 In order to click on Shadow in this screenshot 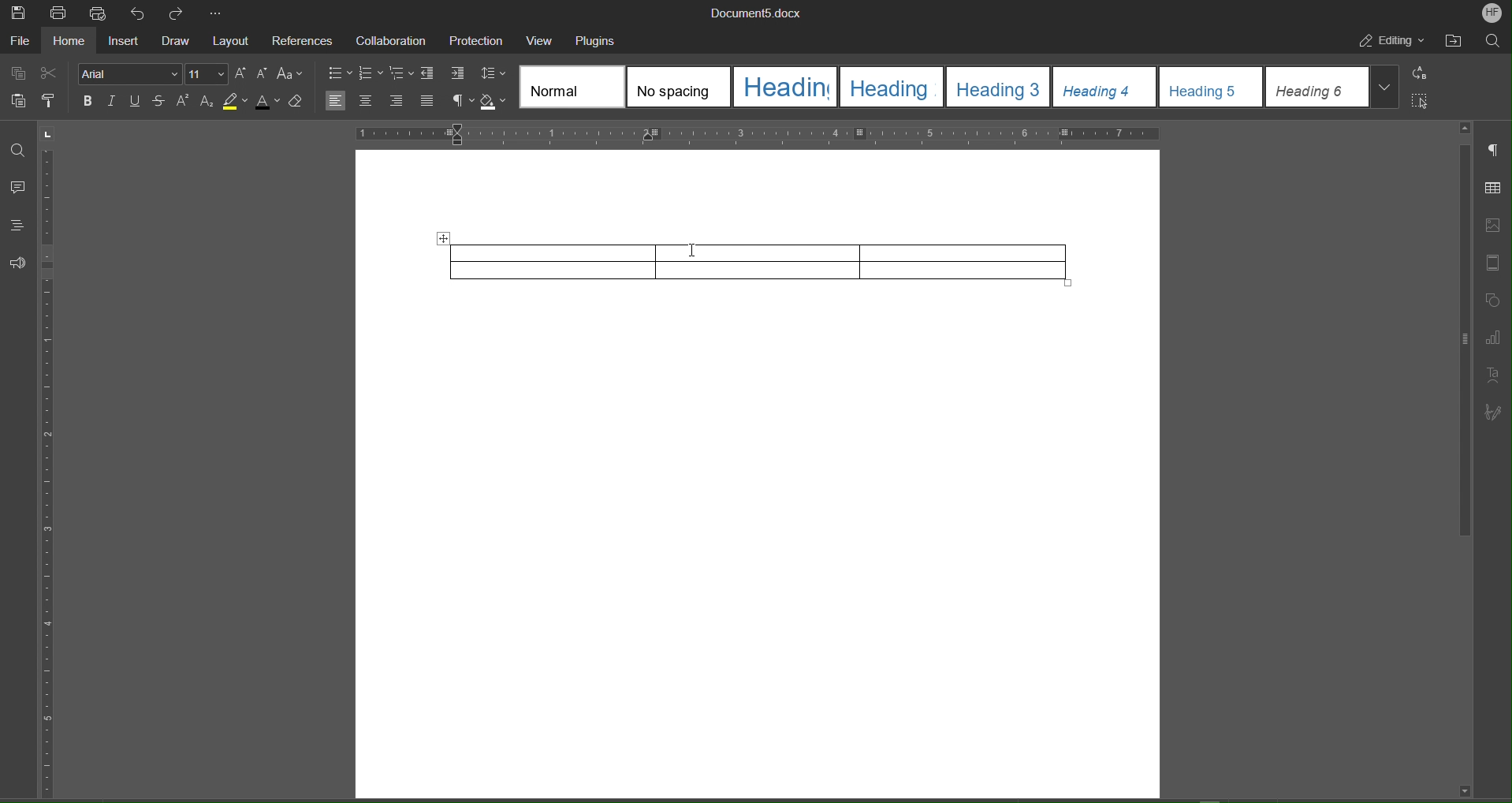, I will do `click(496, 102)`.